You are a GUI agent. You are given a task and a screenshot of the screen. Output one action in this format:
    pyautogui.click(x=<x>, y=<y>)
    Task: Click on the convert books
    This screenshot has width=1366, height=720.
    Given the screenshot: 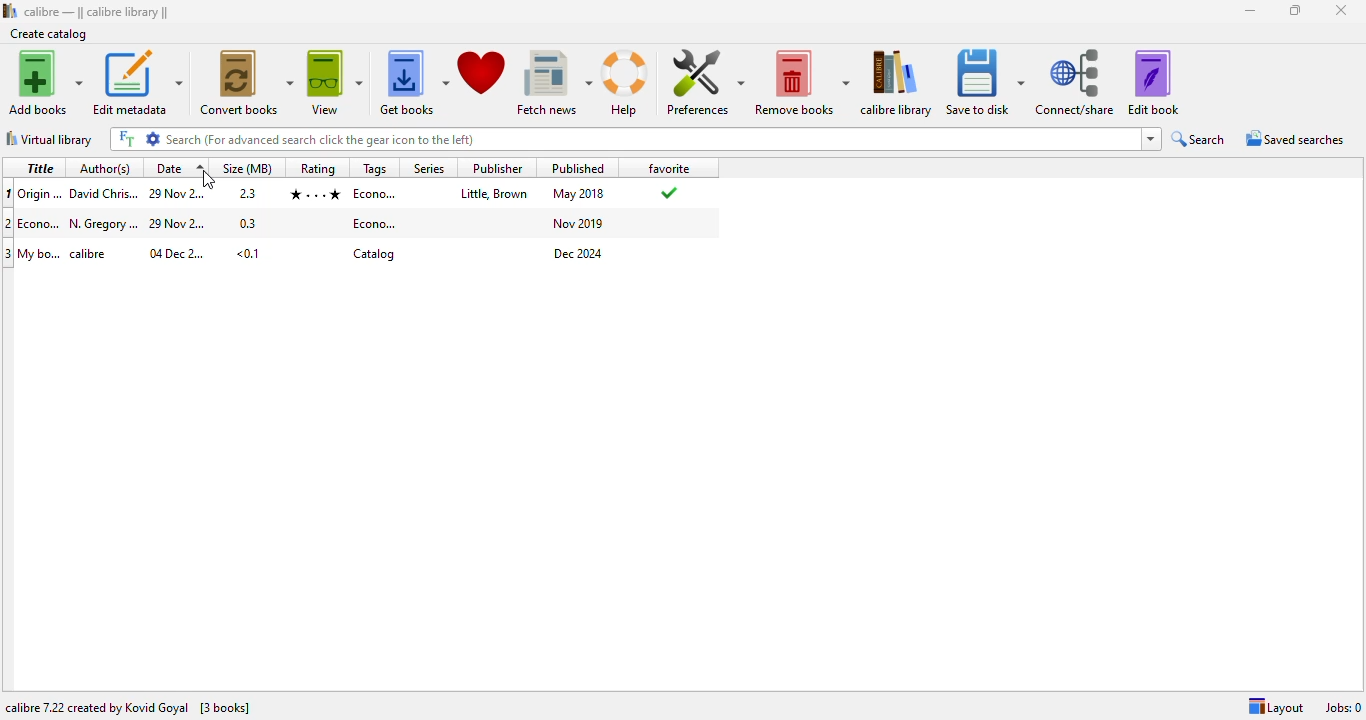 What is the action you would take?
    pyautogui.click(x=247, y=83)
    